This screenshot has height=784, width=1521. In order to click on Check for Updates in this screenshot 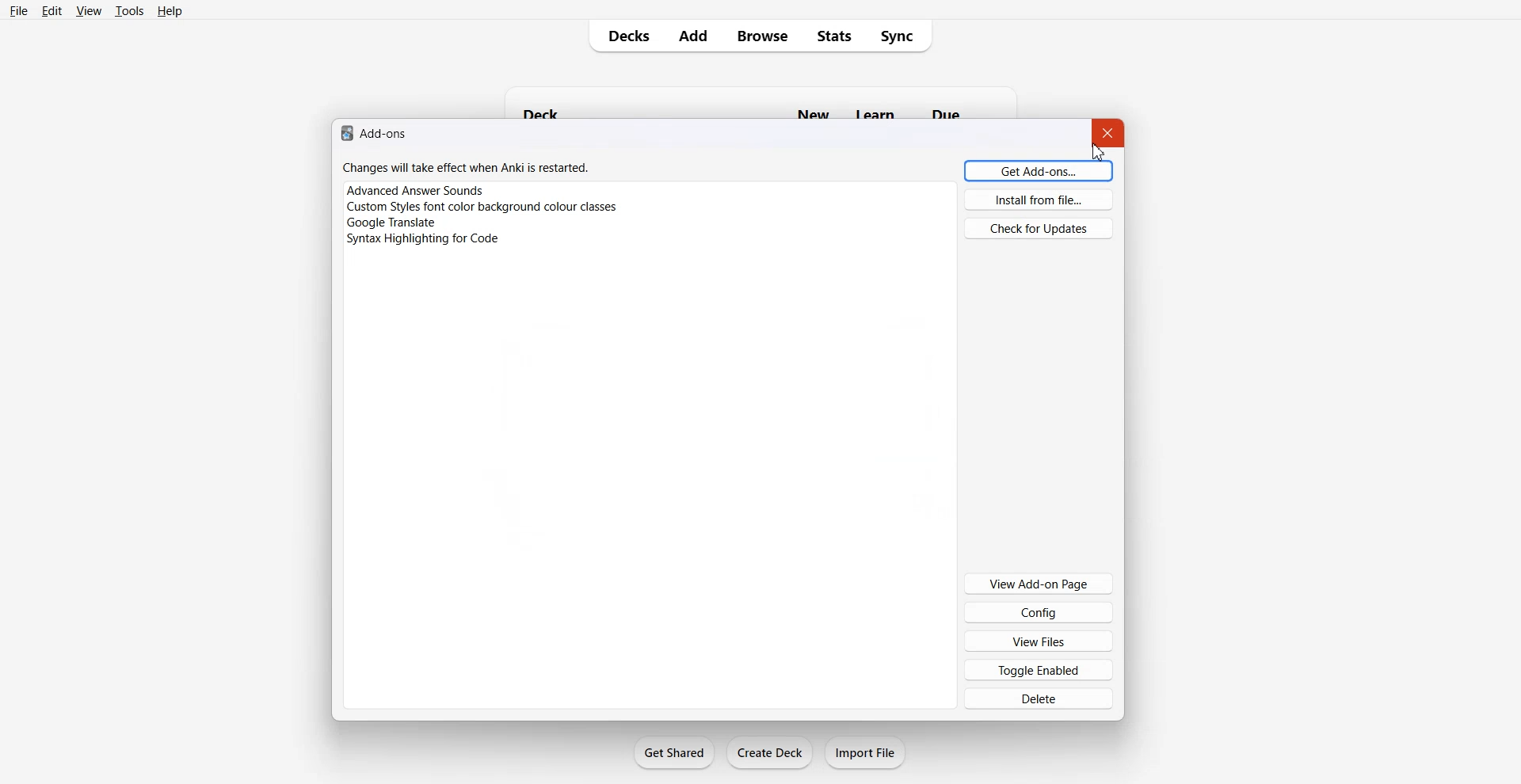, I will do `click(1038, 227)`.